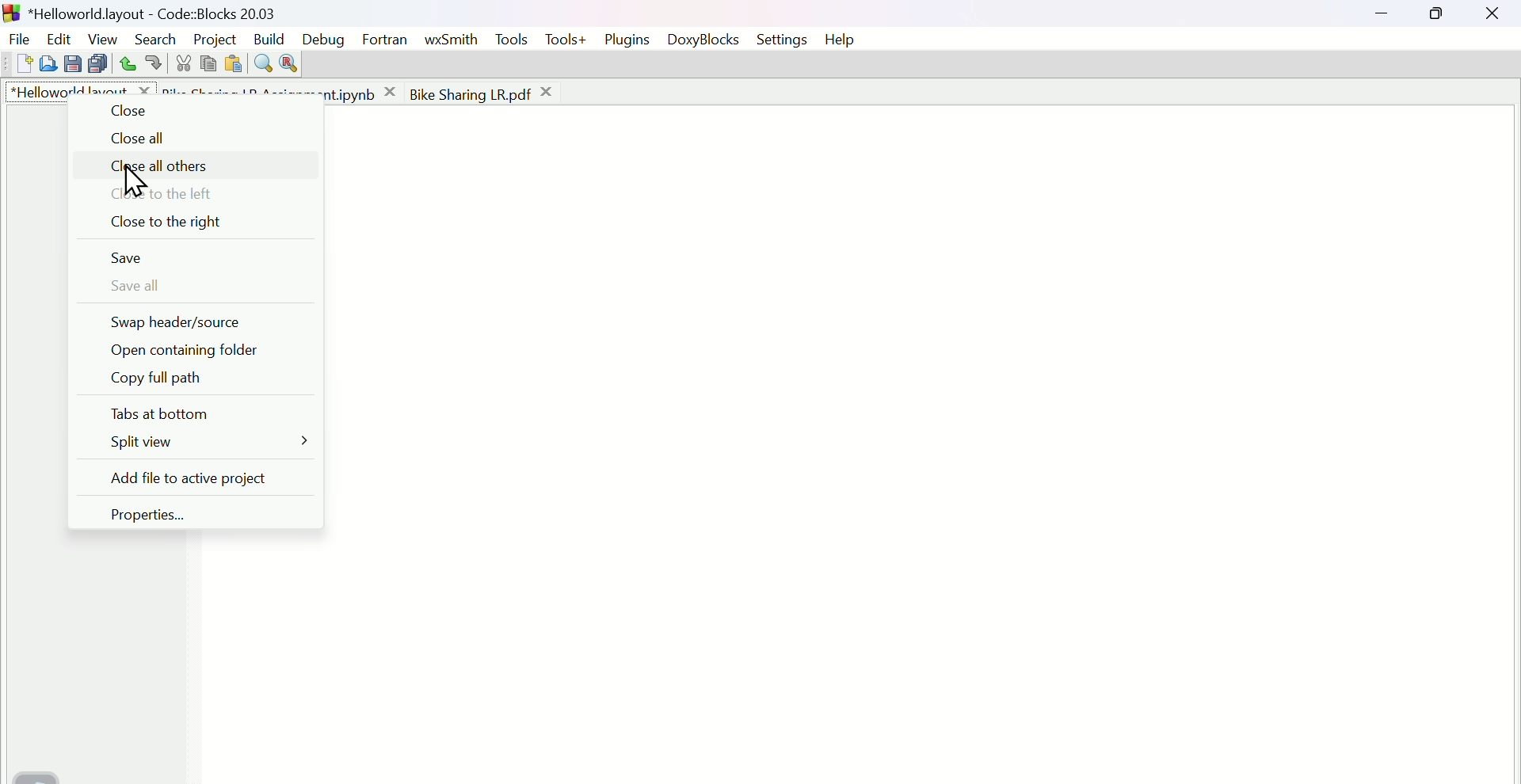 This screenshot has height=784, width=1521. What do you see at coordinates (157, 223) in the screenshot?
I see `Close to the right` at bounding box center [157, 223].